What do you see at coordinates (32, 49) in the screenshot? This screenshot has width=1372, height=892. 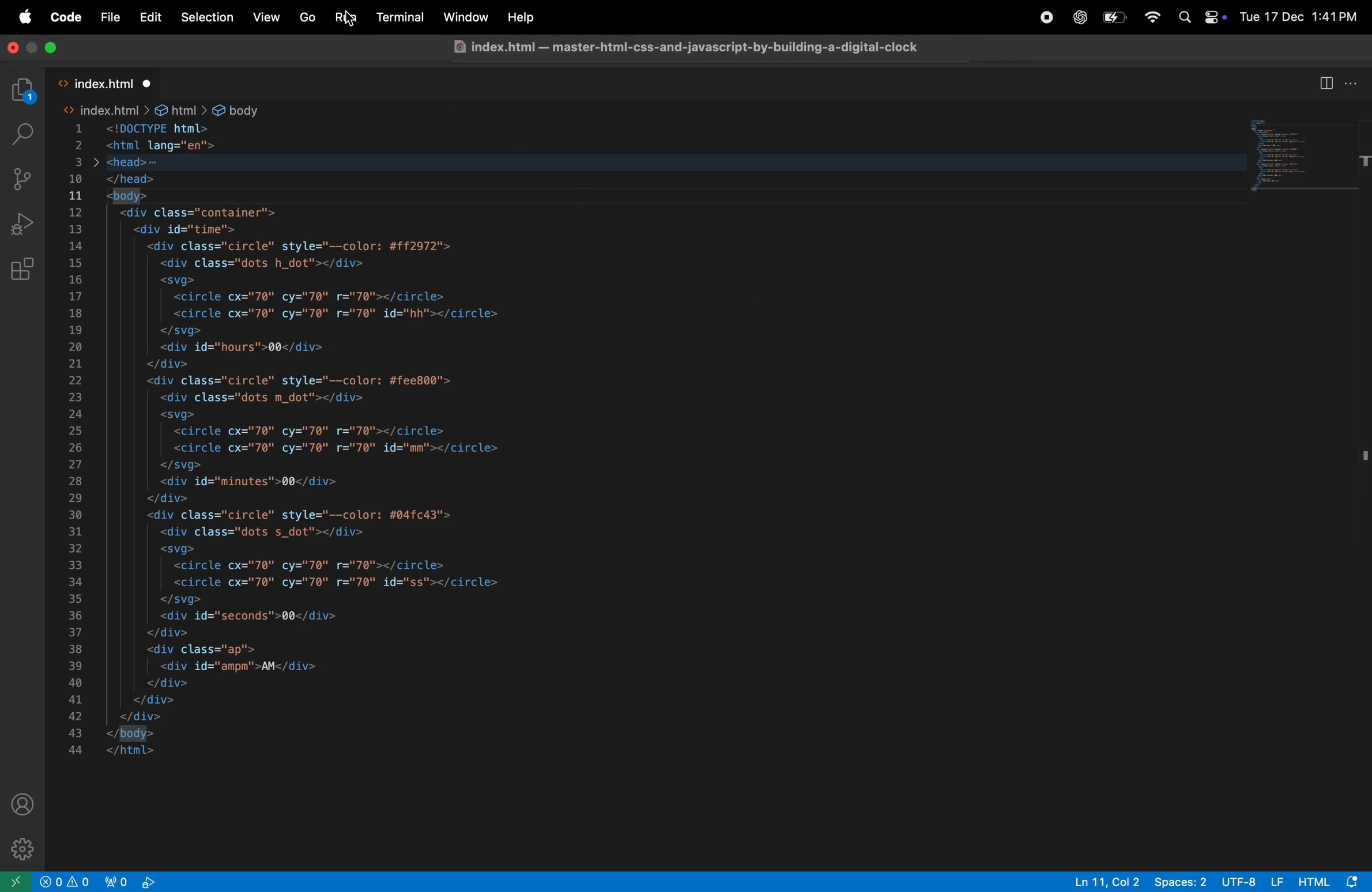 I see `Minimize` at bounding box center [32, 49].